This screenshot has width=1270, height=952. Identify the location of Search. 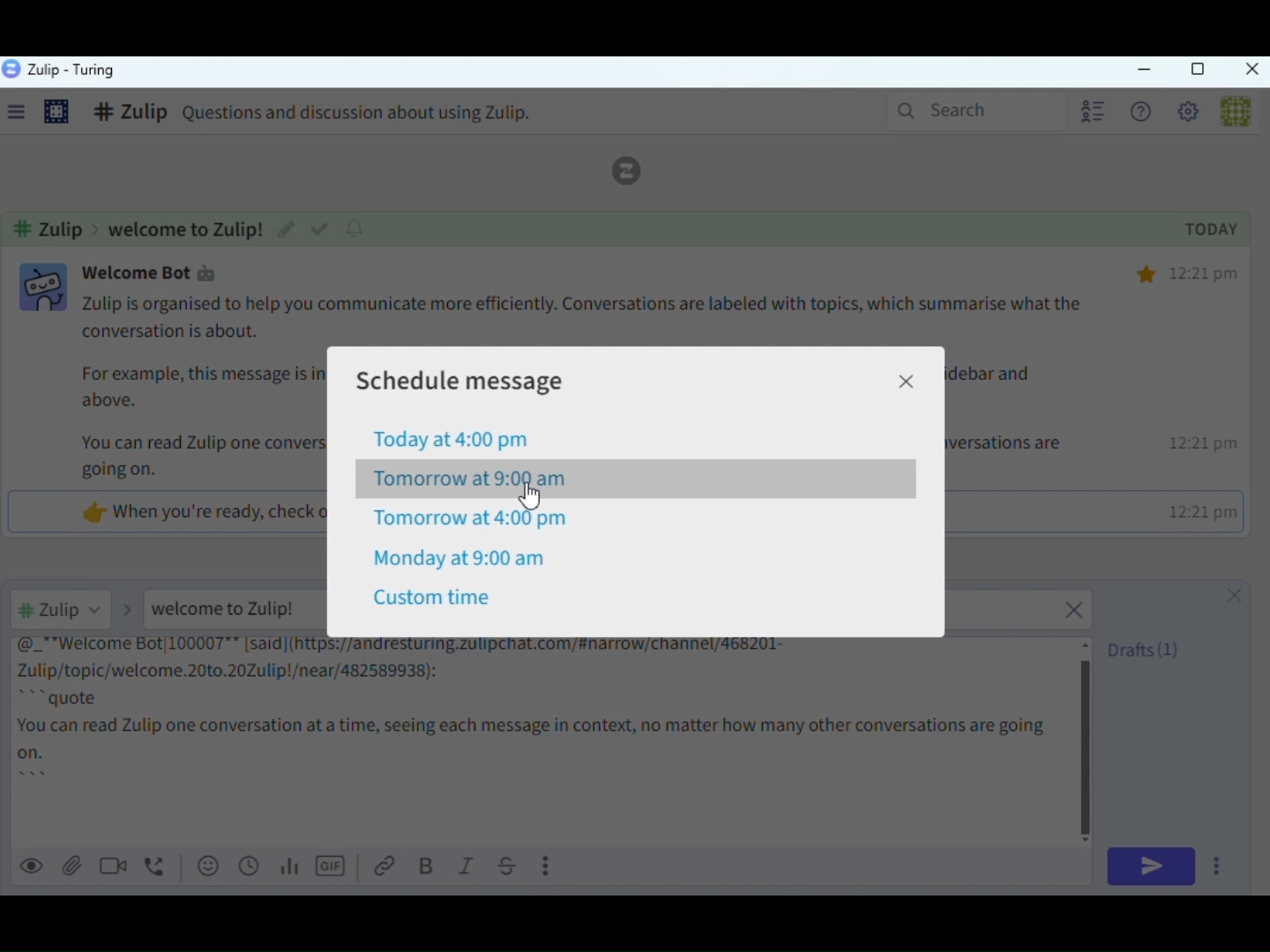
(972, 109).